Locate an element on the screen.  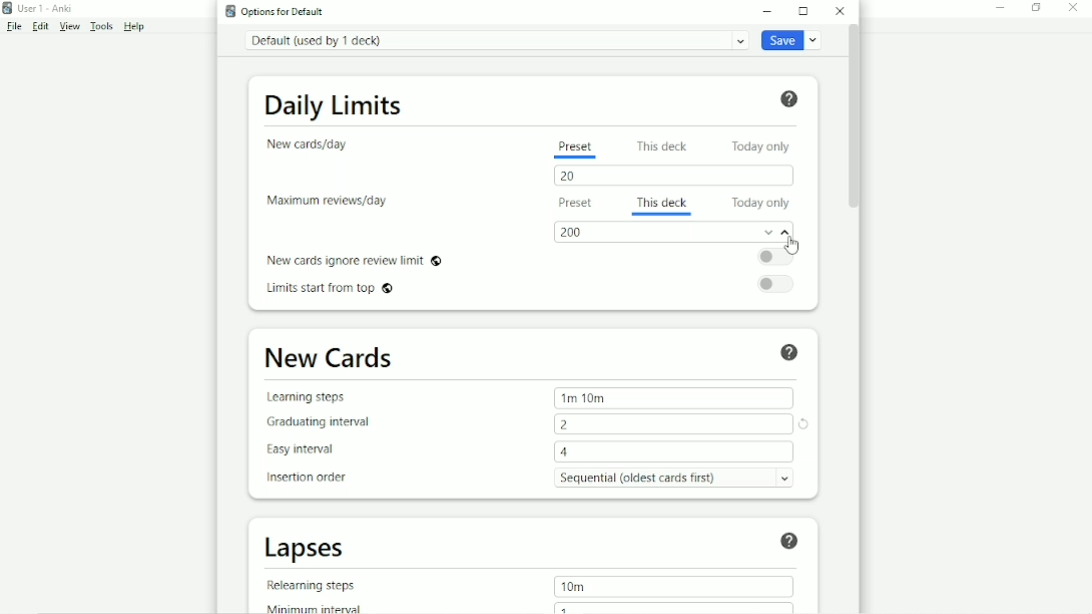
Restore down is located at coordinates (1035, 7).